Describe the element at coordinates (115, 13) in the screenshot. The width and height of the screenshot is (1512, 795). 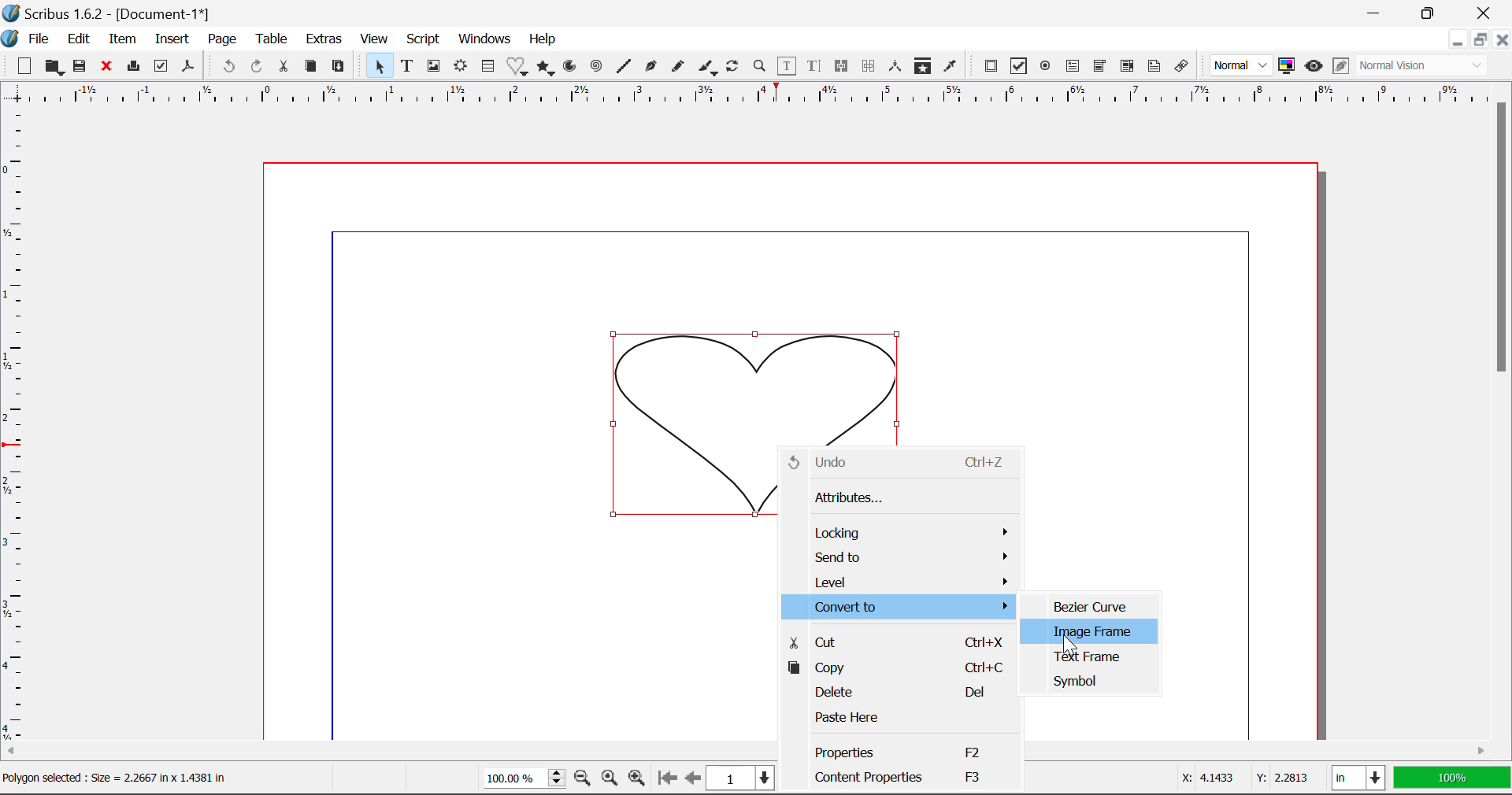
I see `Scribus 1.6.2 - [Document-1*]` at that location.